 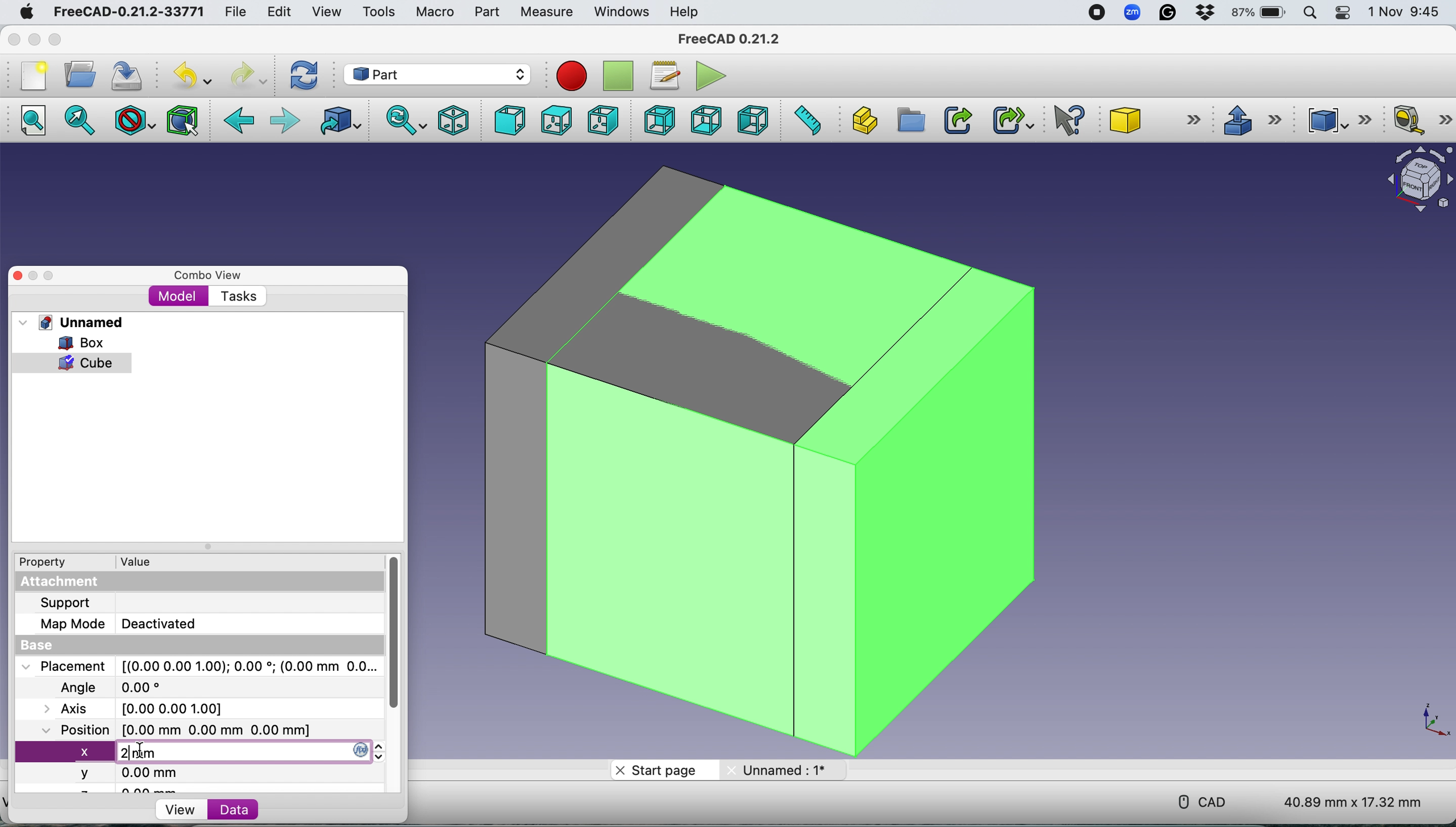 What do you see at coordinates (555, 121) in the screenshot?
I see `Top` at bounding box center [555, 121].